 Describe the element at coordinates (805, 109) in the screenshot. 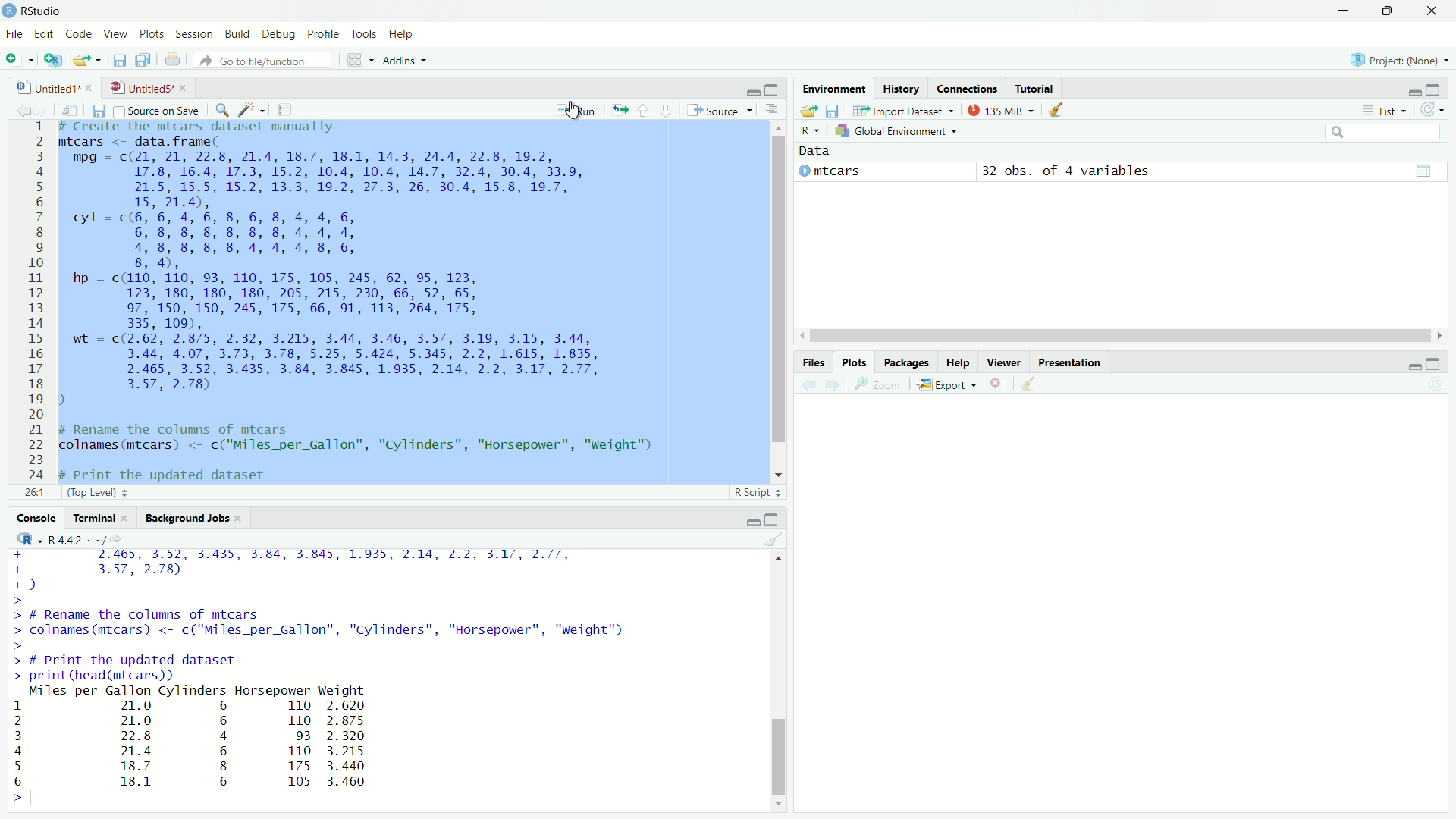

I see `export` at that location.